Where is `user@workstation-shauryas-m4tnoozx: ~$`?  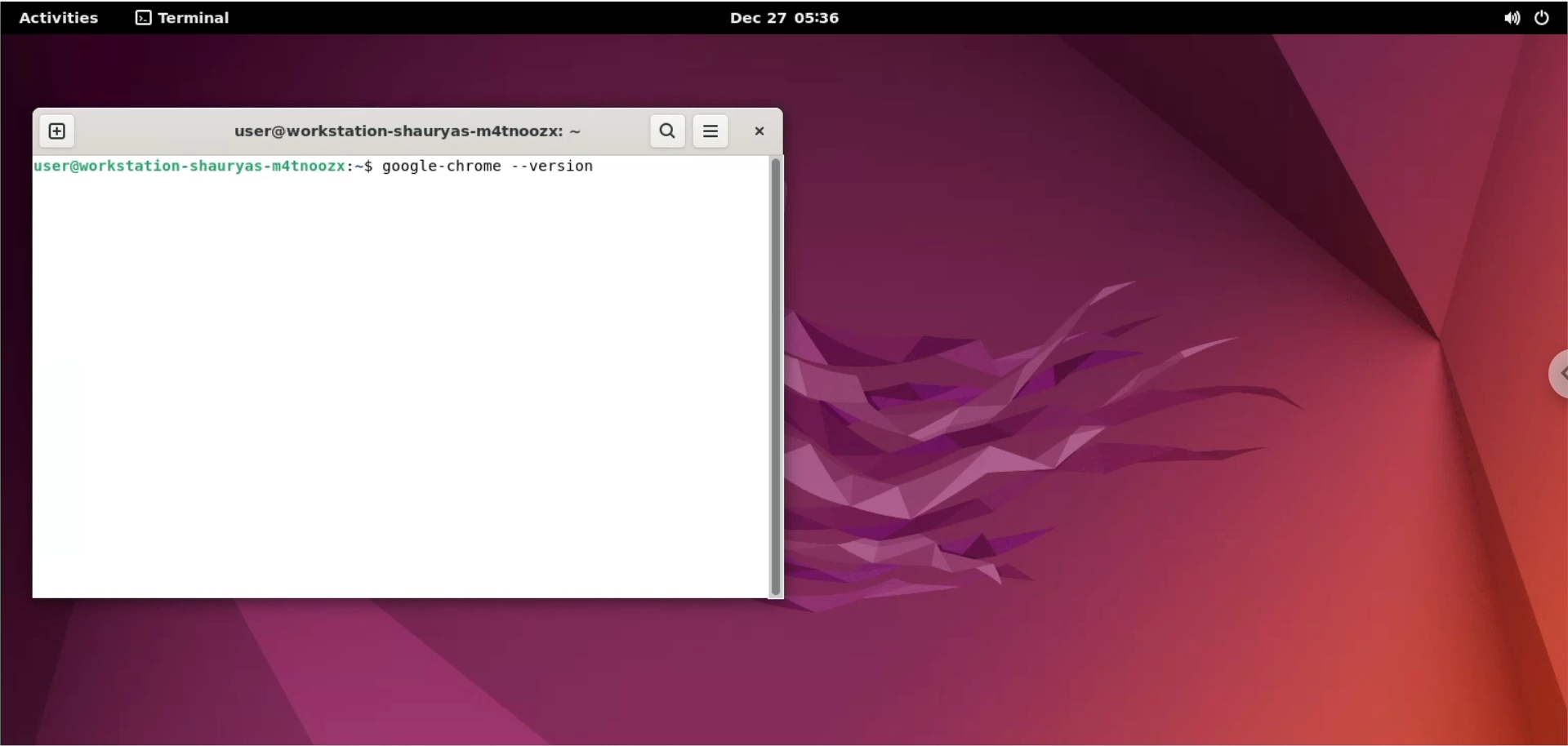 user@workstation-shauryas-m4tnoozx: ~$ is located at coordinates (206, 167).